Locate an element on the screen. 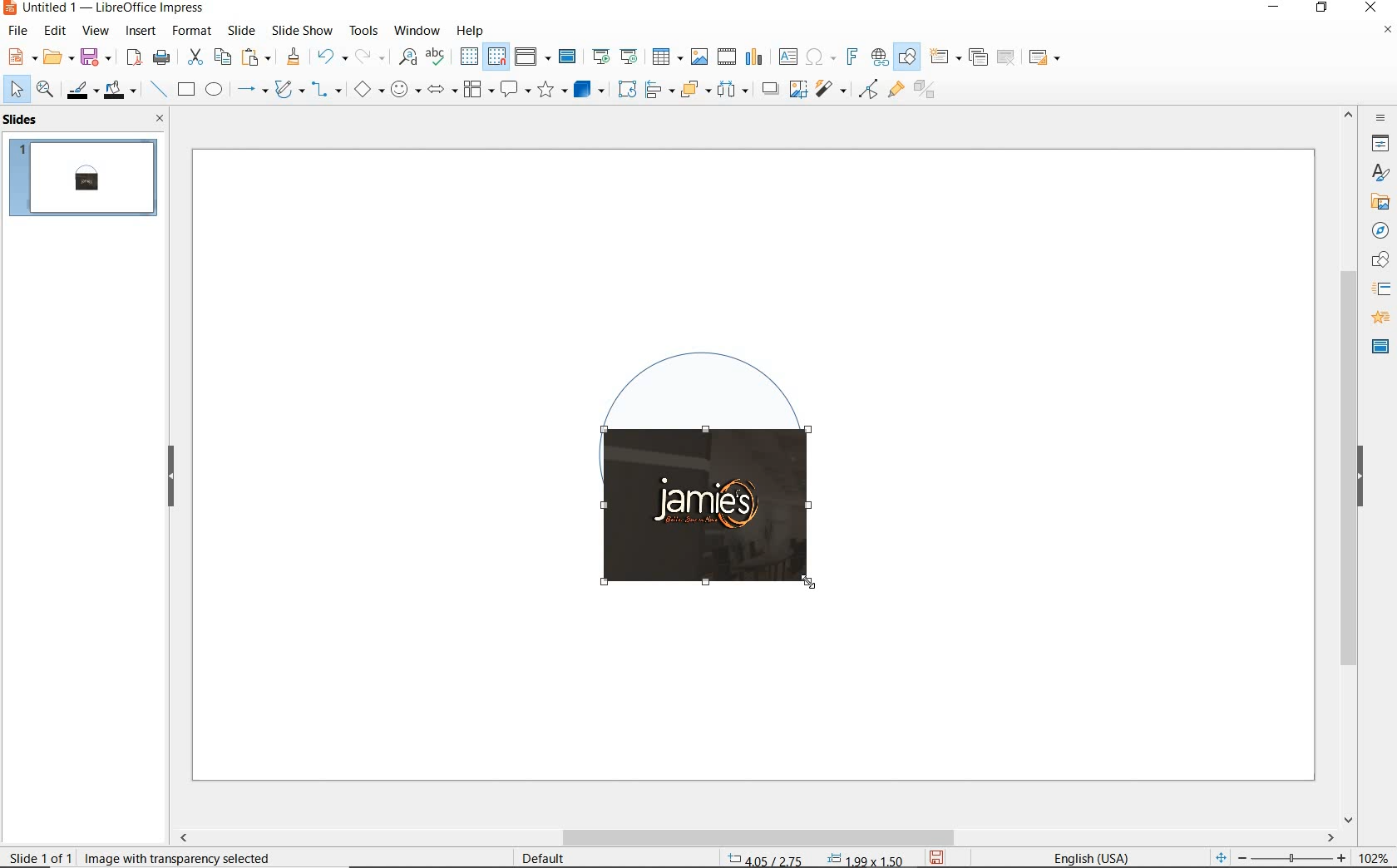  crop image is located at coordinates (797, 87).